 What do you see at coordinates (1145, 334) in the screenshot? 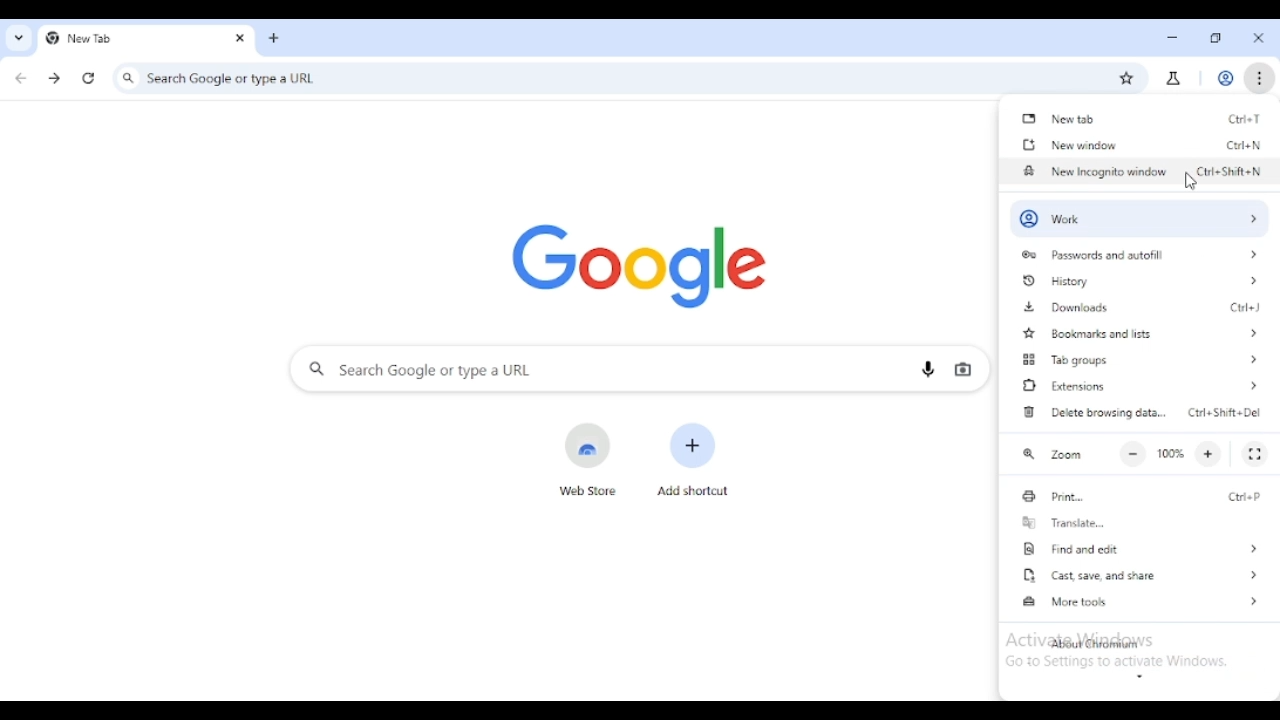
I see `bookmarks and lists` at bounding box center [1145, 334].